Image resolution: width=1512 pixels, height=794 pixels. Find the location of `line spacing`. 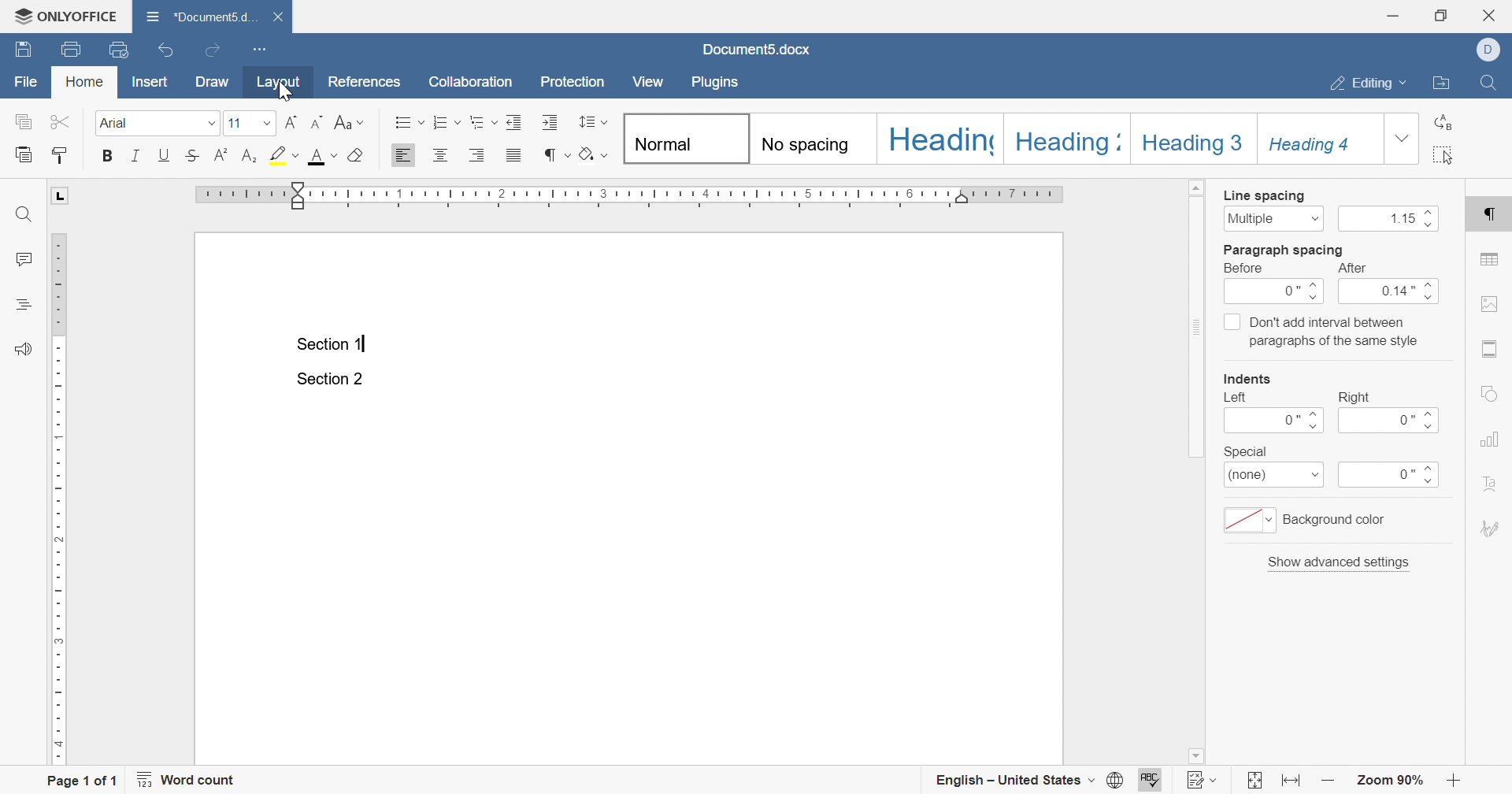

line spacing is located at coordinates (591, 121).